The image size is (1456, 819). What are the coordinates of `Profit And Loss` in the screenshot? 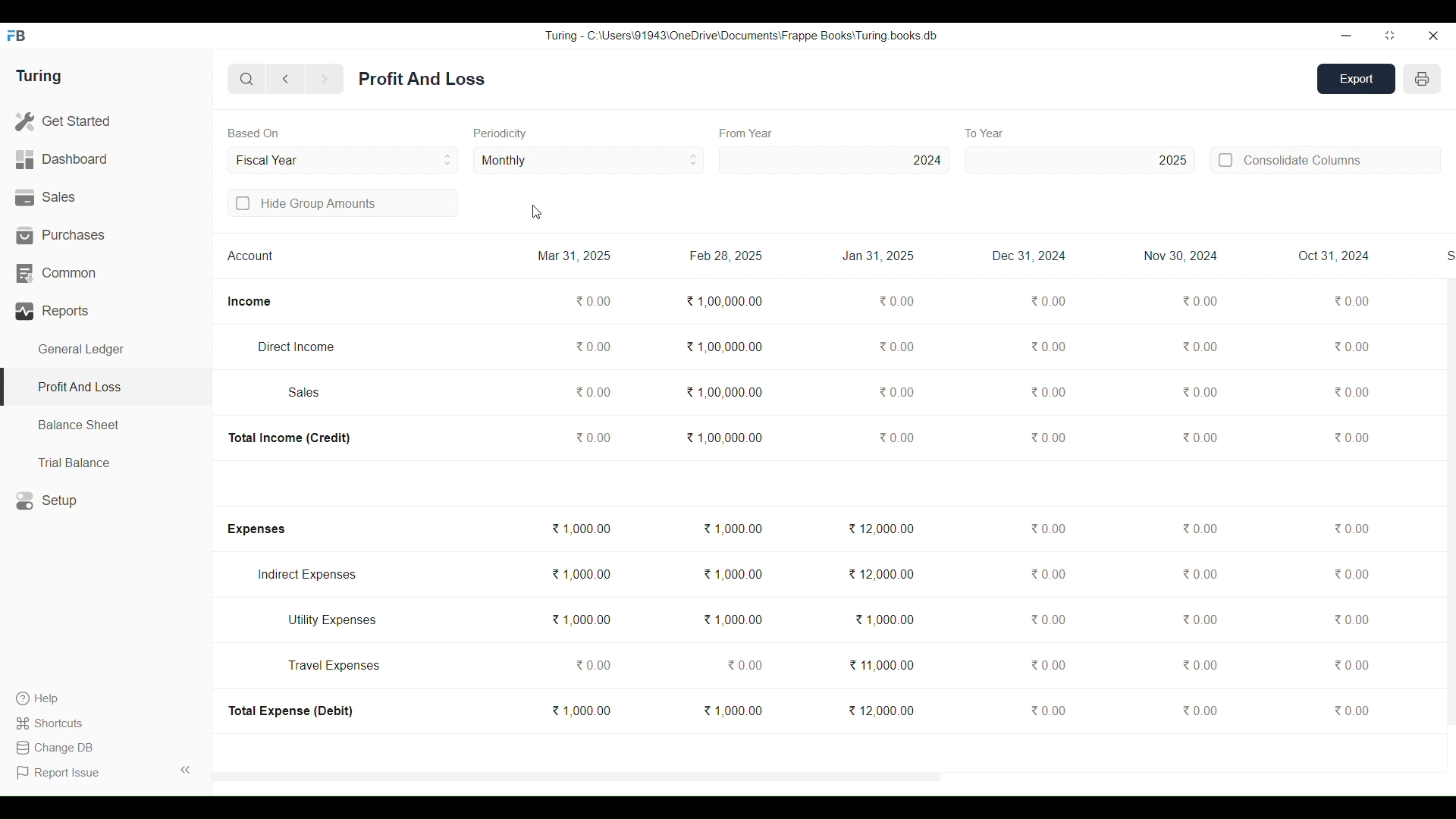 It's located at (422, 79).